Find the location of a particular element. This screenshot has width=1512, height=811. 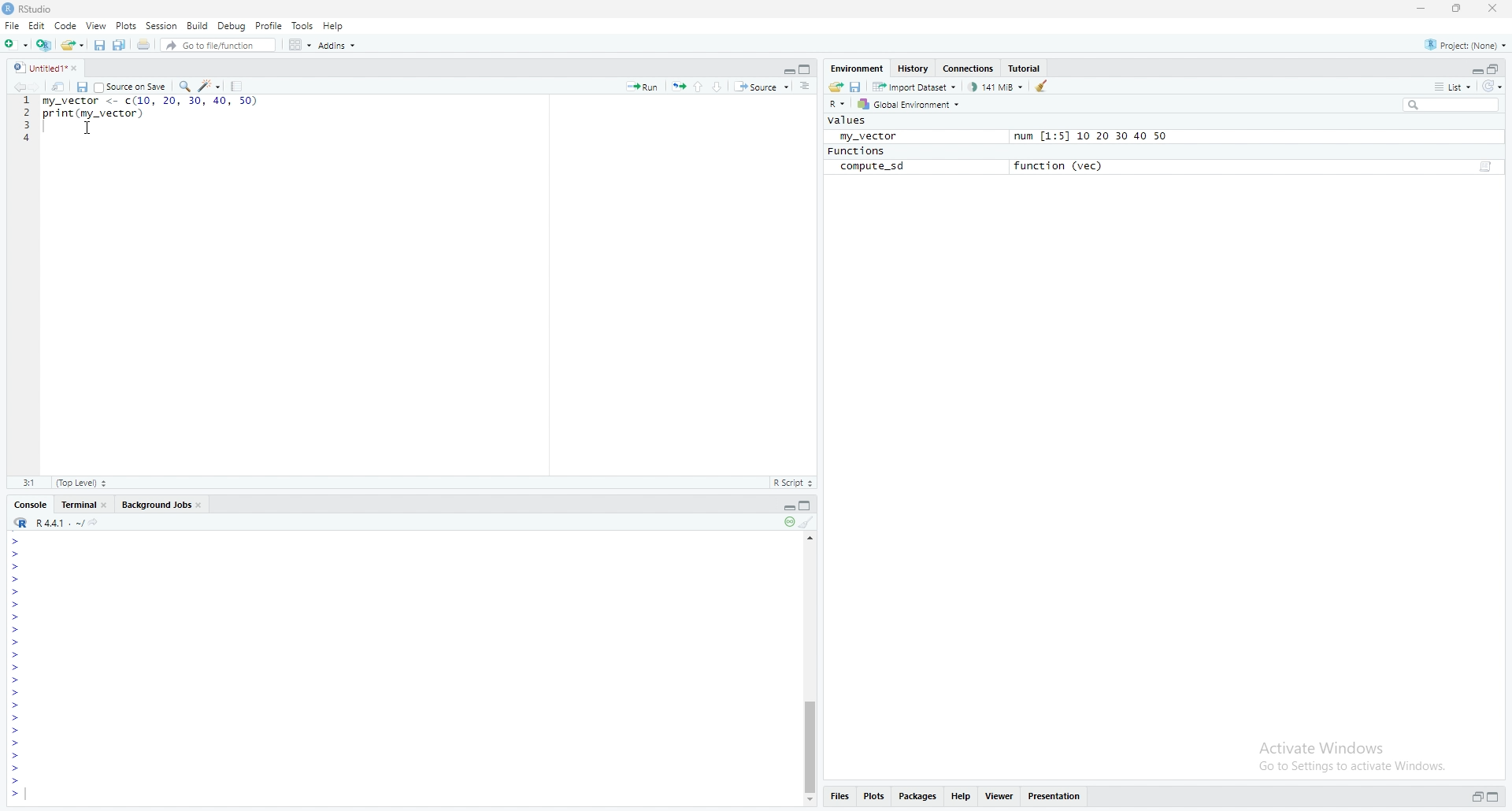

Prompt cursor is located at coordinates (16, 605).